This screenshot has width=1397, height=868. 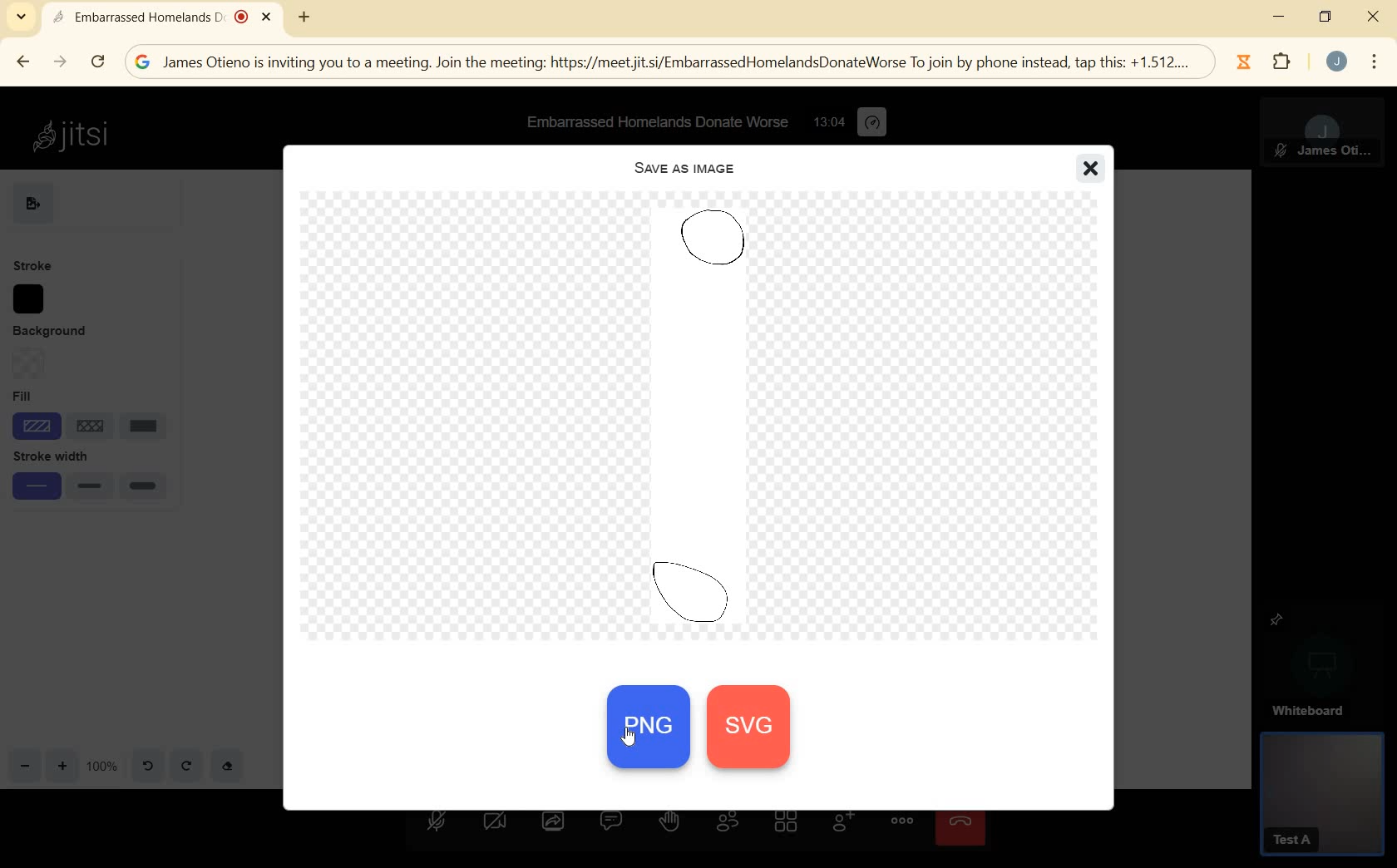 I want to click on close, so click(x=1372, y=17).